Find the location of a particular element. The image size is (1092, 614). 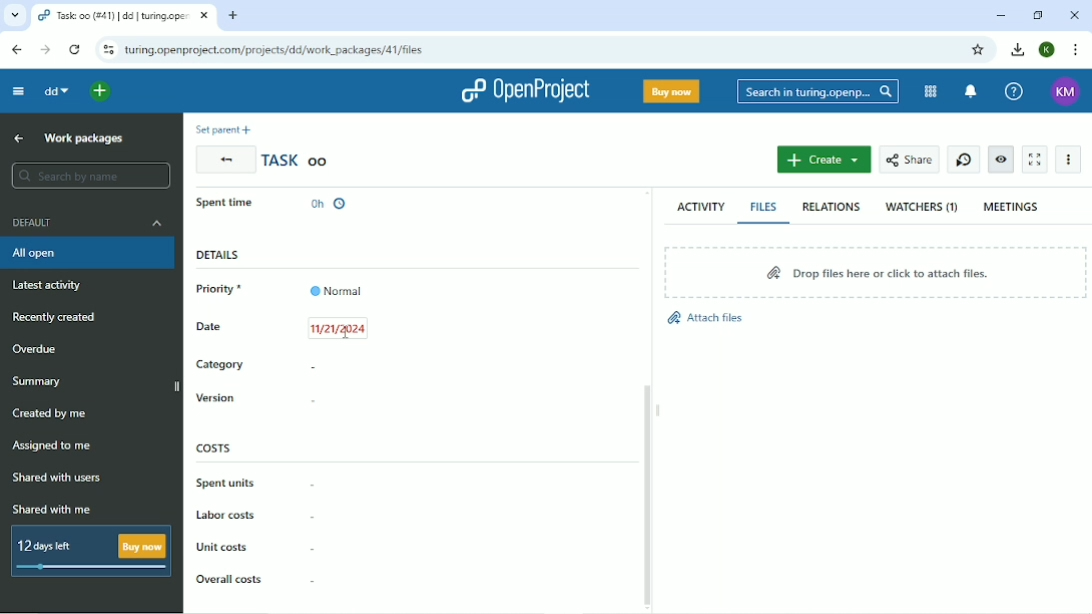

K is located at coordinates (1047, 50).